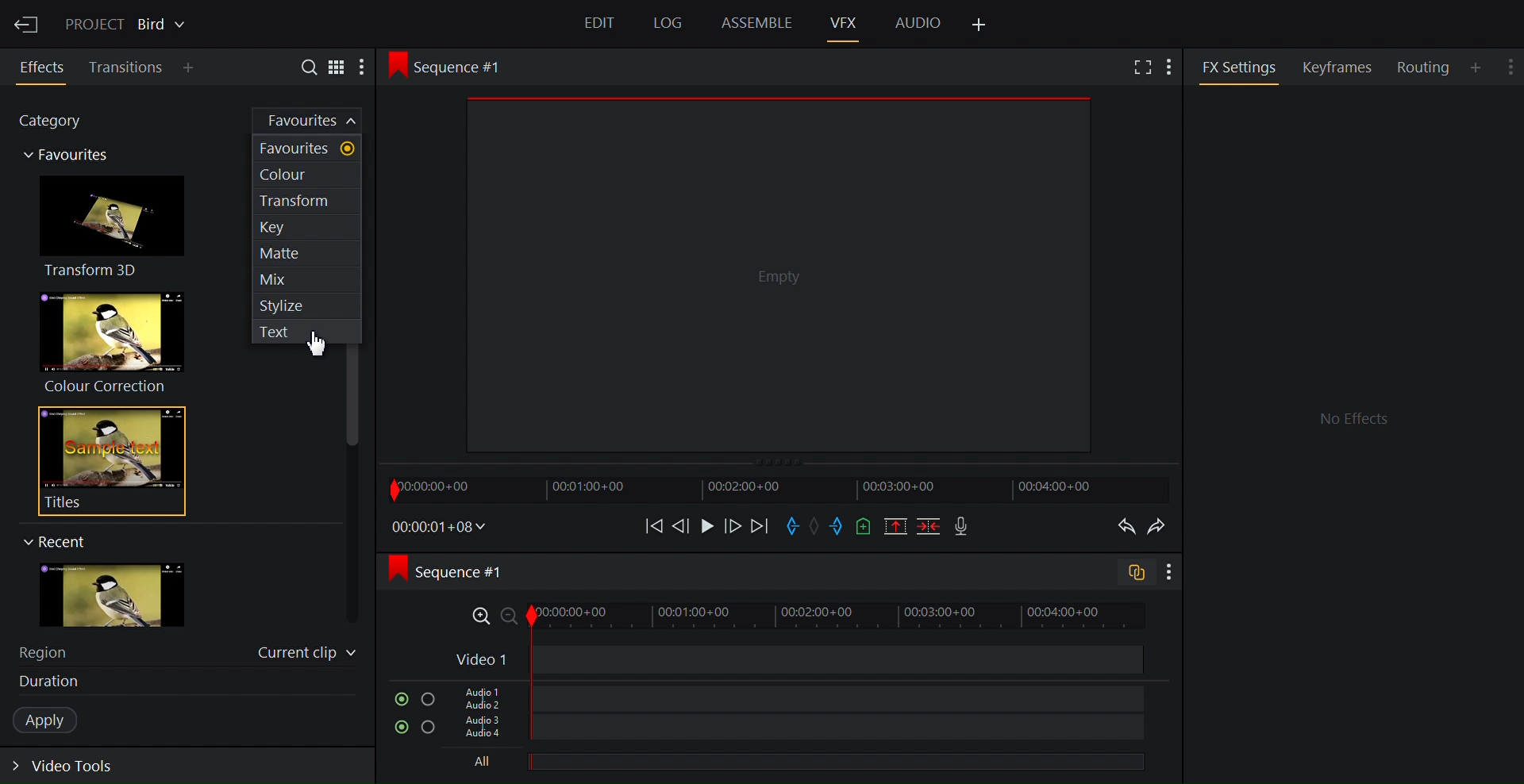 The image size is (1524, 784). What do you see at coordinates (127, 67) in the screenshot?
I see `Transition` at bounding box center [127, 67].